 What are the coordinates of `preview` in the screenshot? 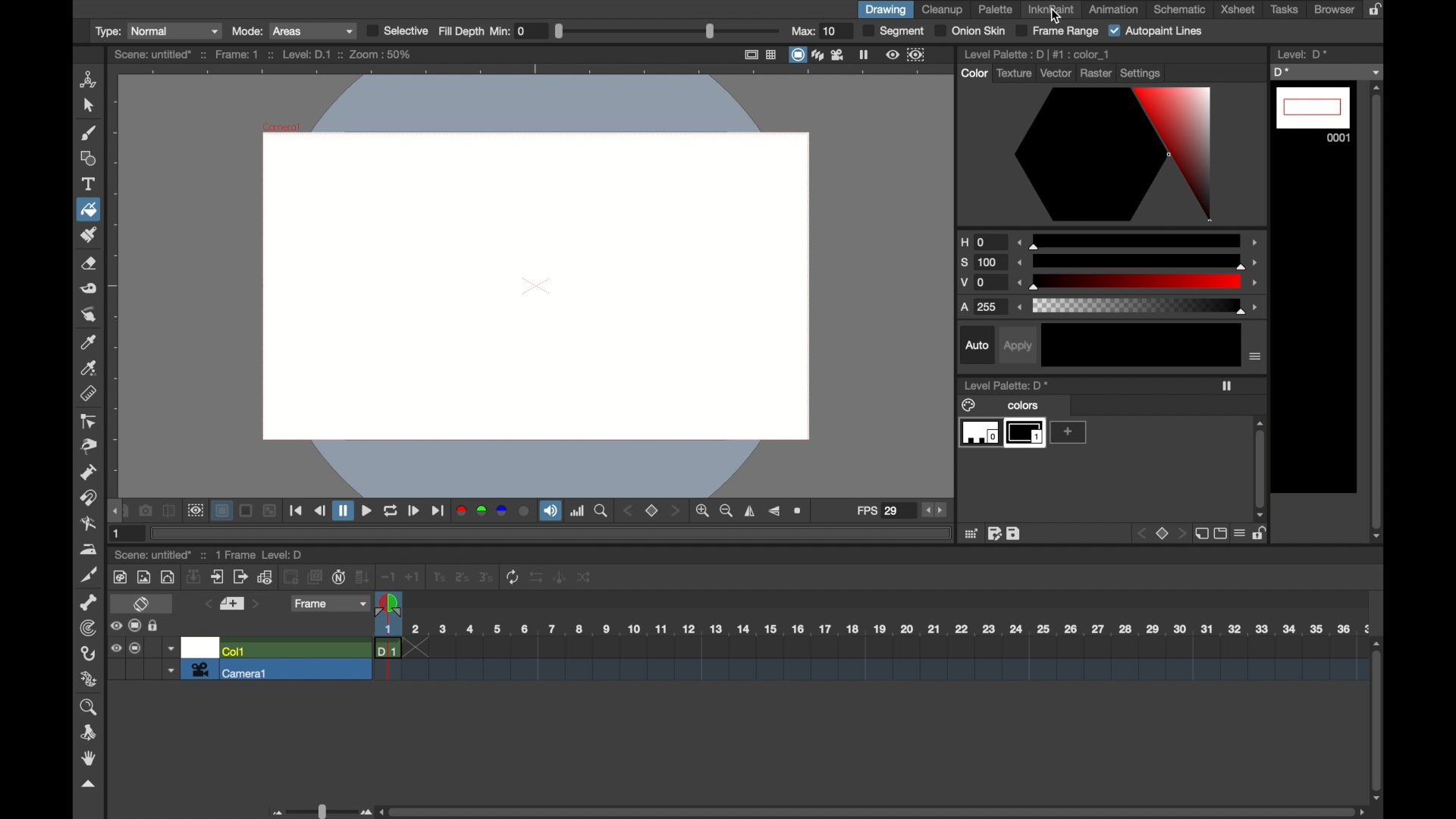 It's located at (194, 511).